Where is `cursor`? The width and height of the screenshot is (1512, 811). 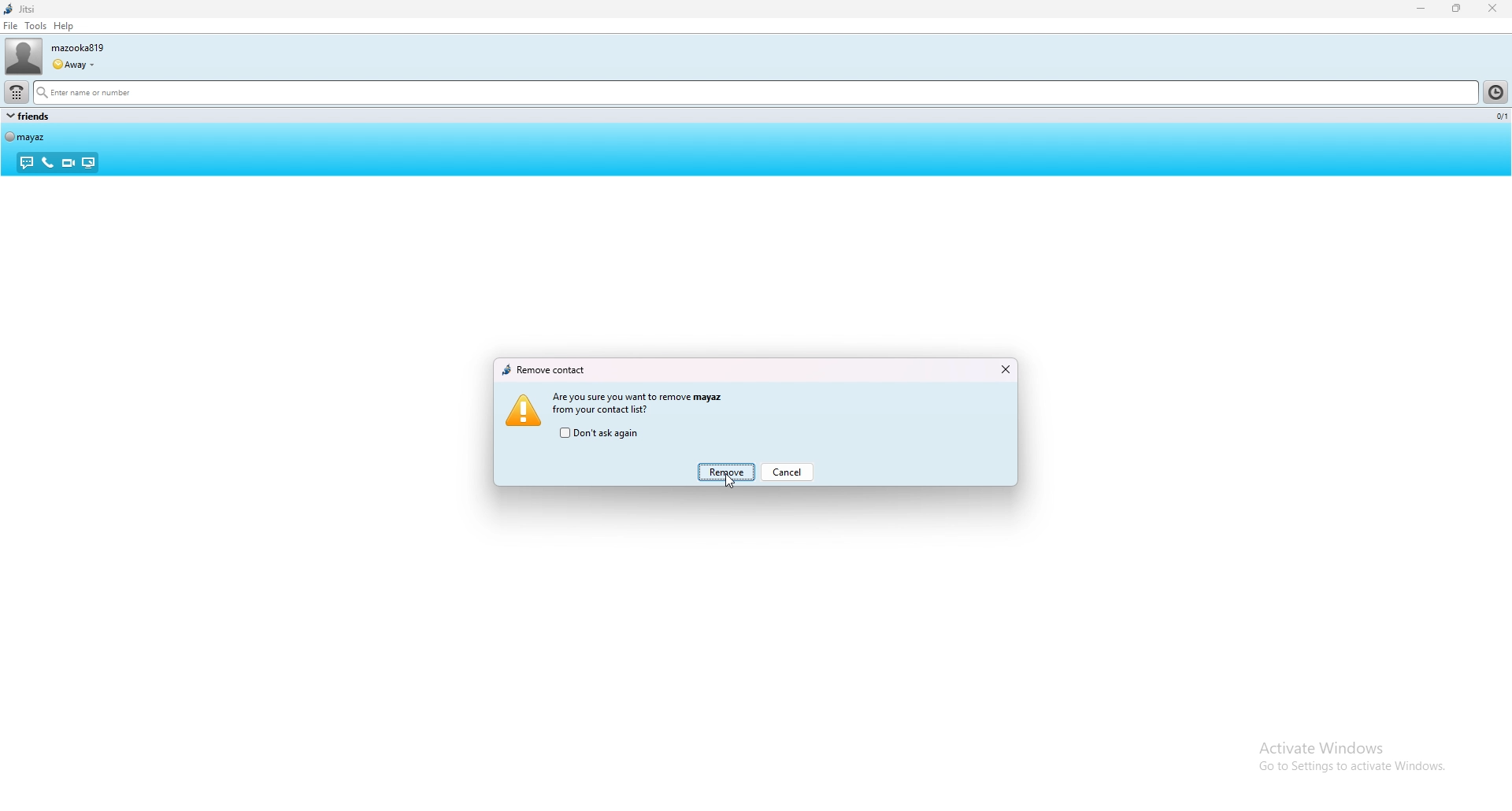 cursor is located at coordinates (730, 480).